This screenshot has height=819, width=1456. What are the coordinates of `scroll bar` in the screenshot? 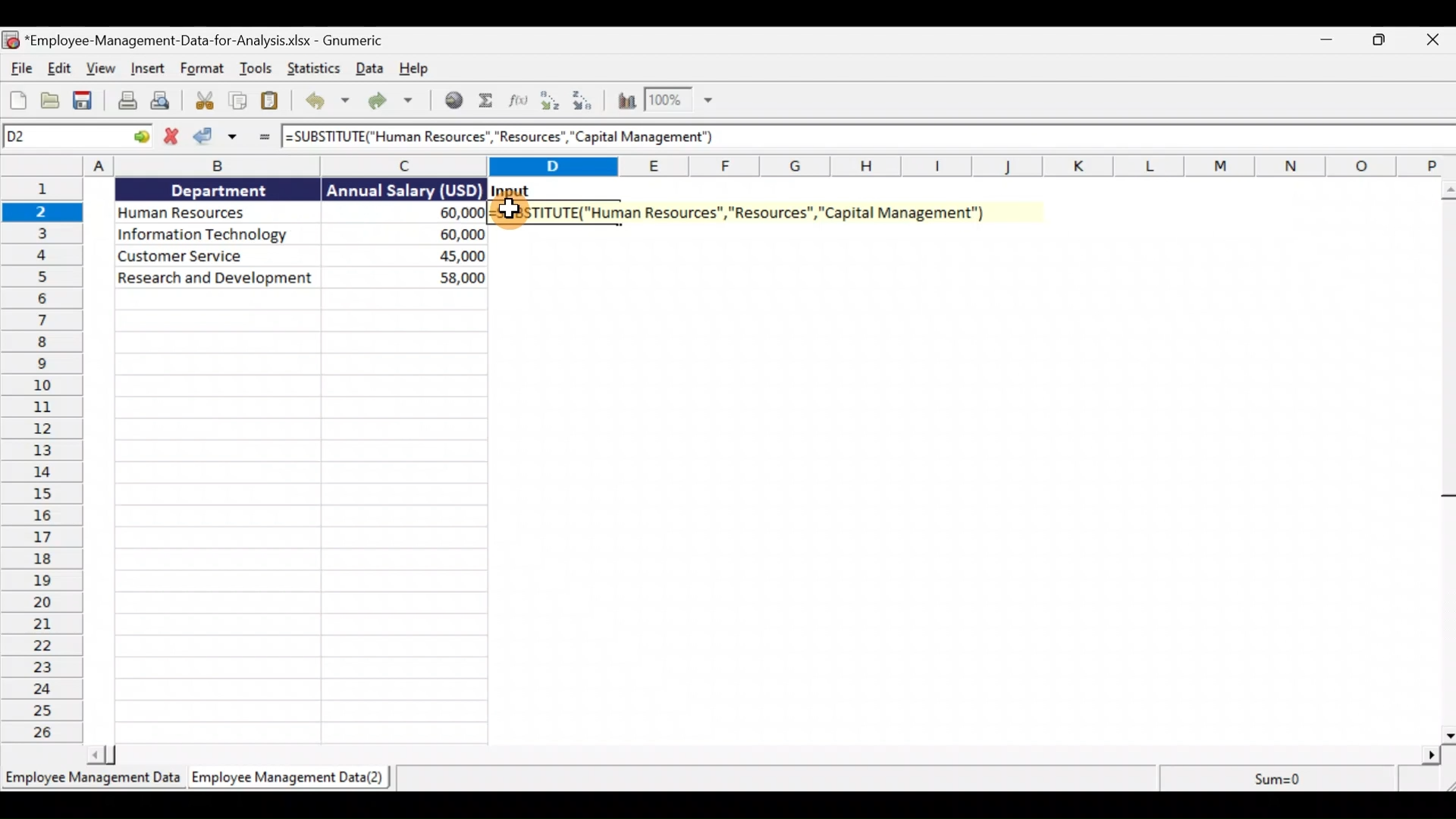 It's located at (1445, 461).